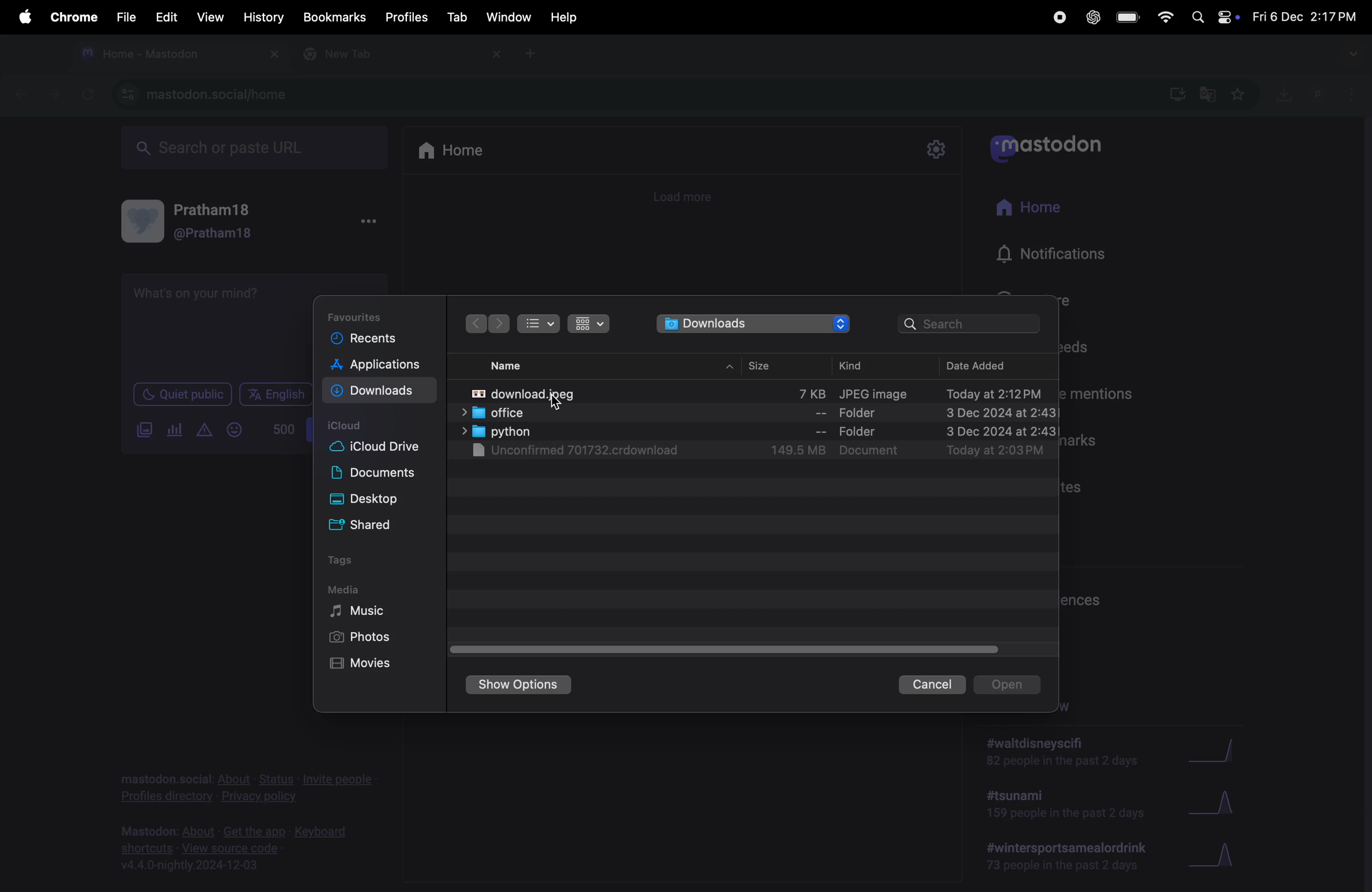 The image size is (1372, 892). Describe the element at coordinates (689, 198) in the screenshot. I see `load more` at that location.